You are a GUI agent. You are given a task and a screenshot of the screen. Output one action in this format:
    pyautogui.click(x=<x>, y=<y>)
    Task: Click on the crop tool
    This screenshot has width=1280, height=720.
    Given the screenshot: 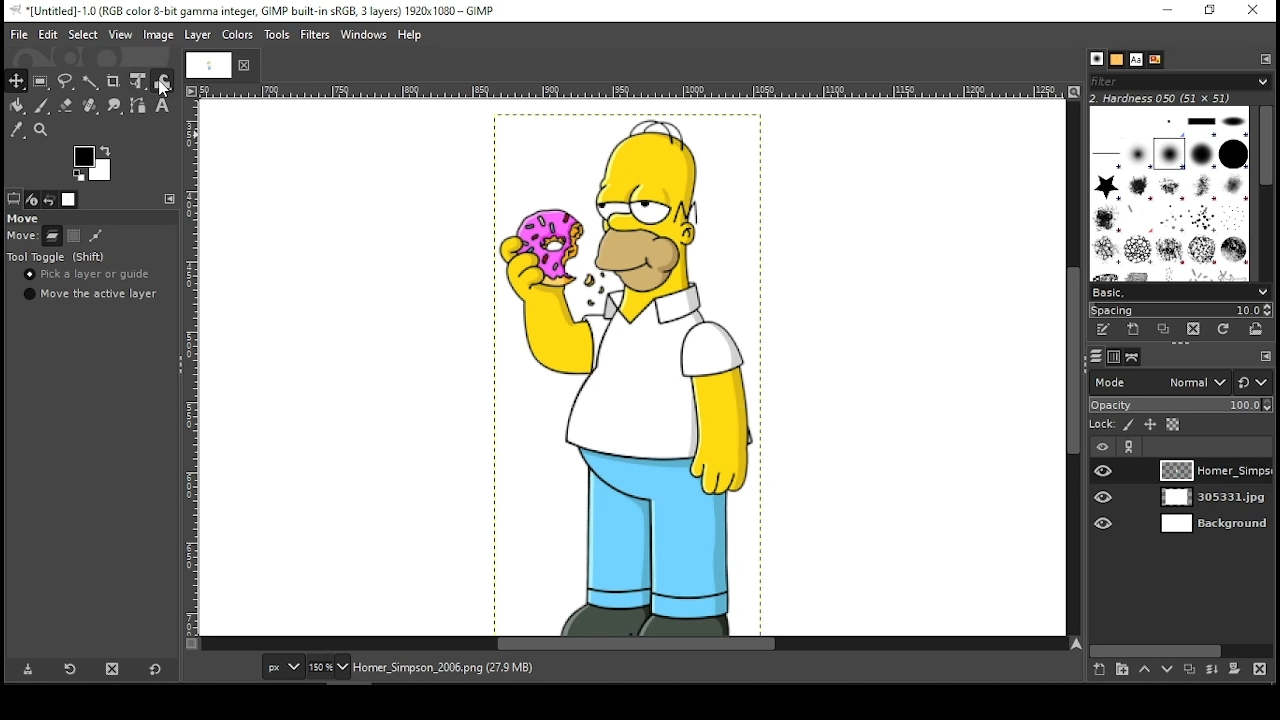 What is the action you would take?
    pyautogui.click(x=114, y=81)
    